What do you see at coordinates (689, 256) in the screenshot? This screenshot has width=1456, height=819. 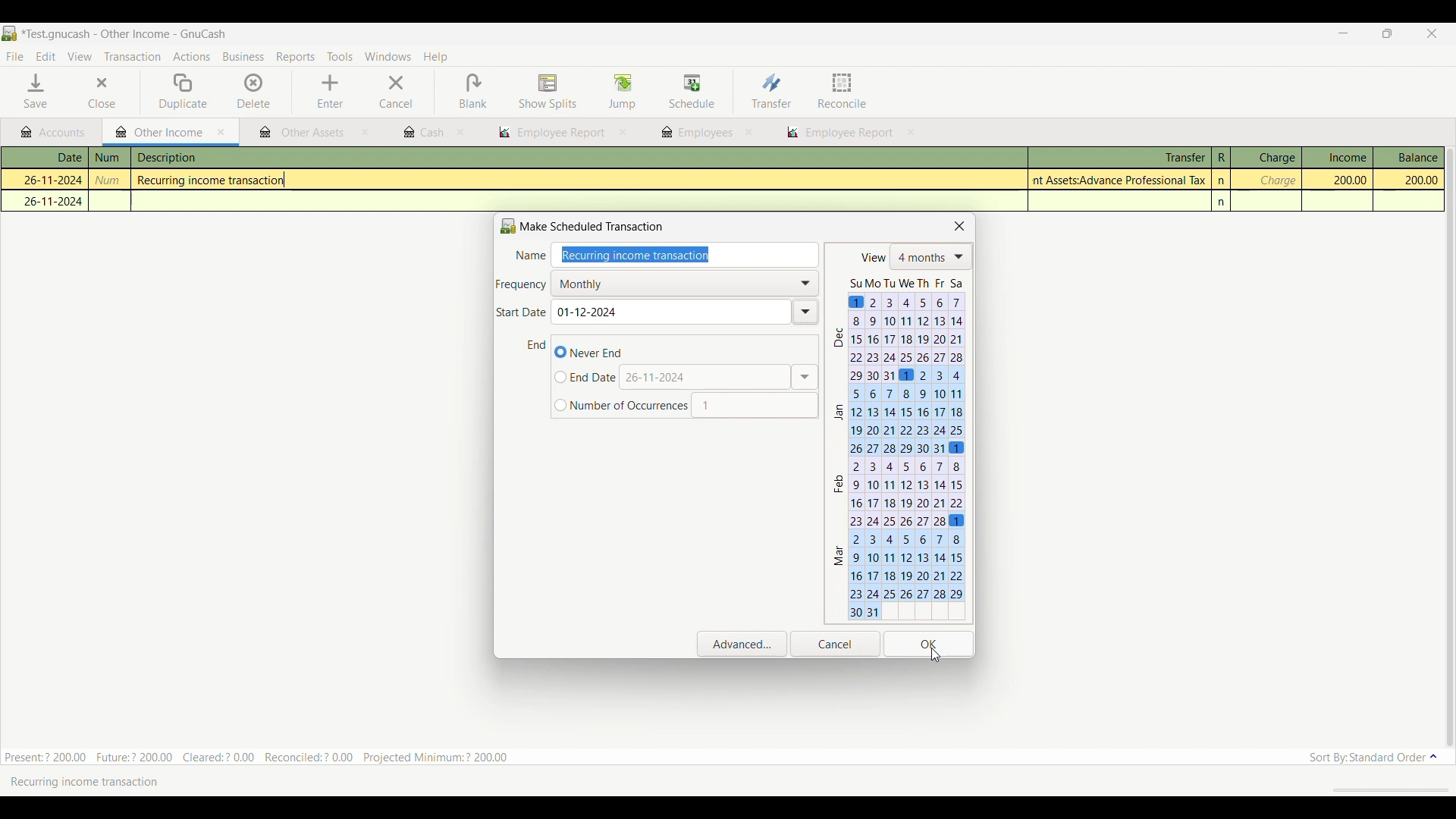 I see `Enter name of transaction` at bounding box center [689, 256].